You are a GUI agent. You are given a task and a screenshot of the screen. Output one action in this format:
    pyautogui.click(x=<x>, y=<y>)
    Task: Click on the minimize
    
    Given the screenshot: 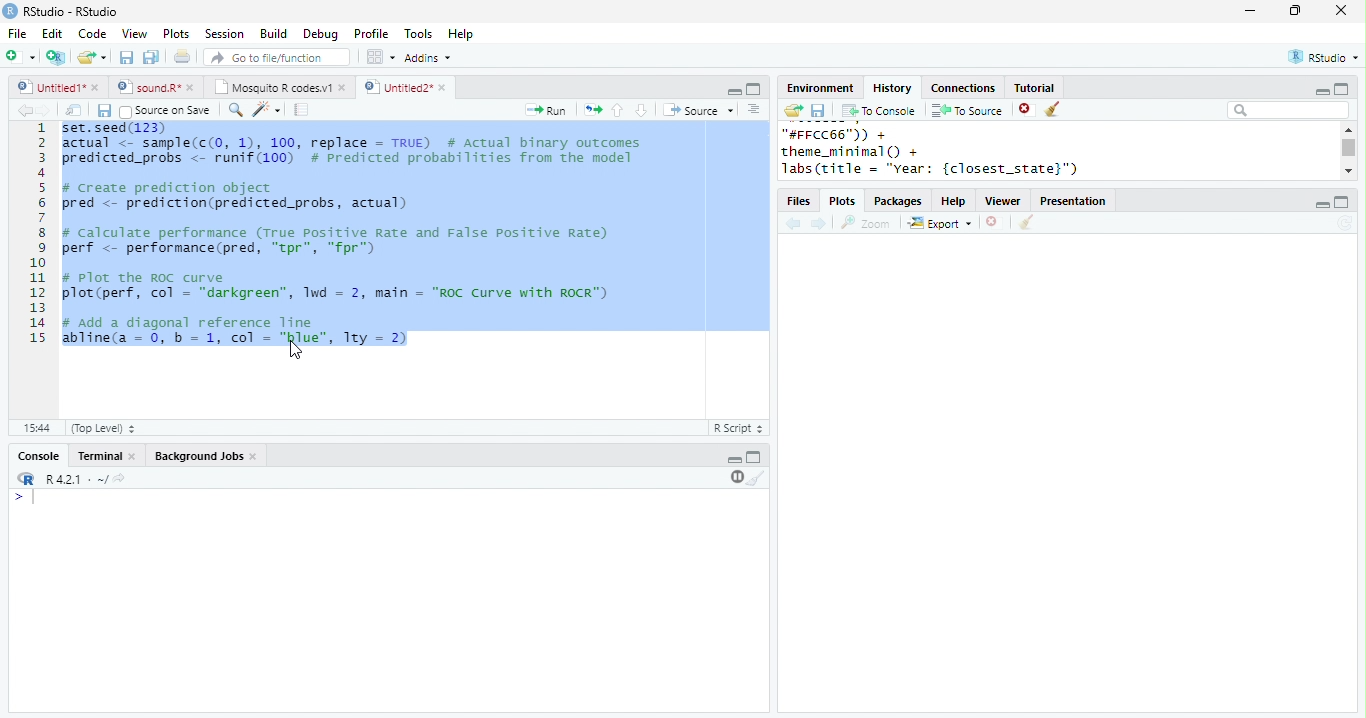 What is the action you would take?
    pyautogui.click(x=1321, y=92)
    